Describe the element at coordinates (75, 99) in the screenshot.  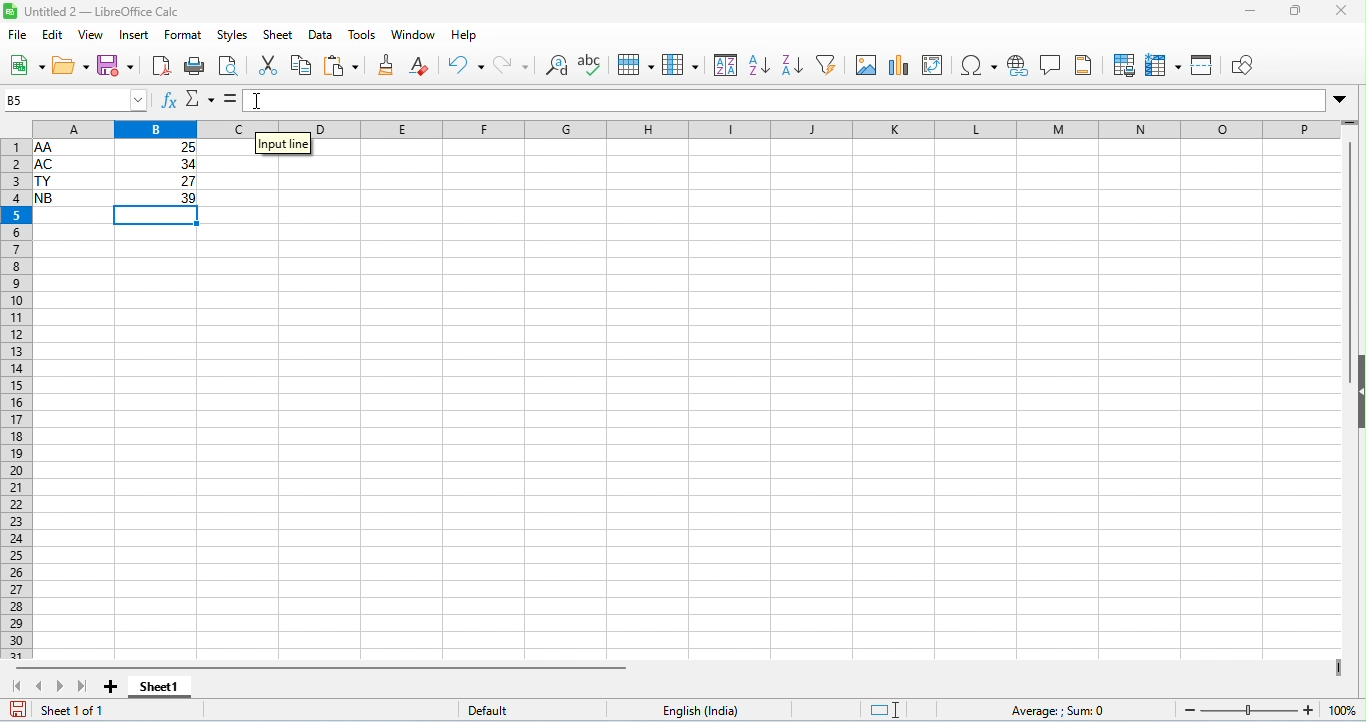
I see `selected cell number` at that location.